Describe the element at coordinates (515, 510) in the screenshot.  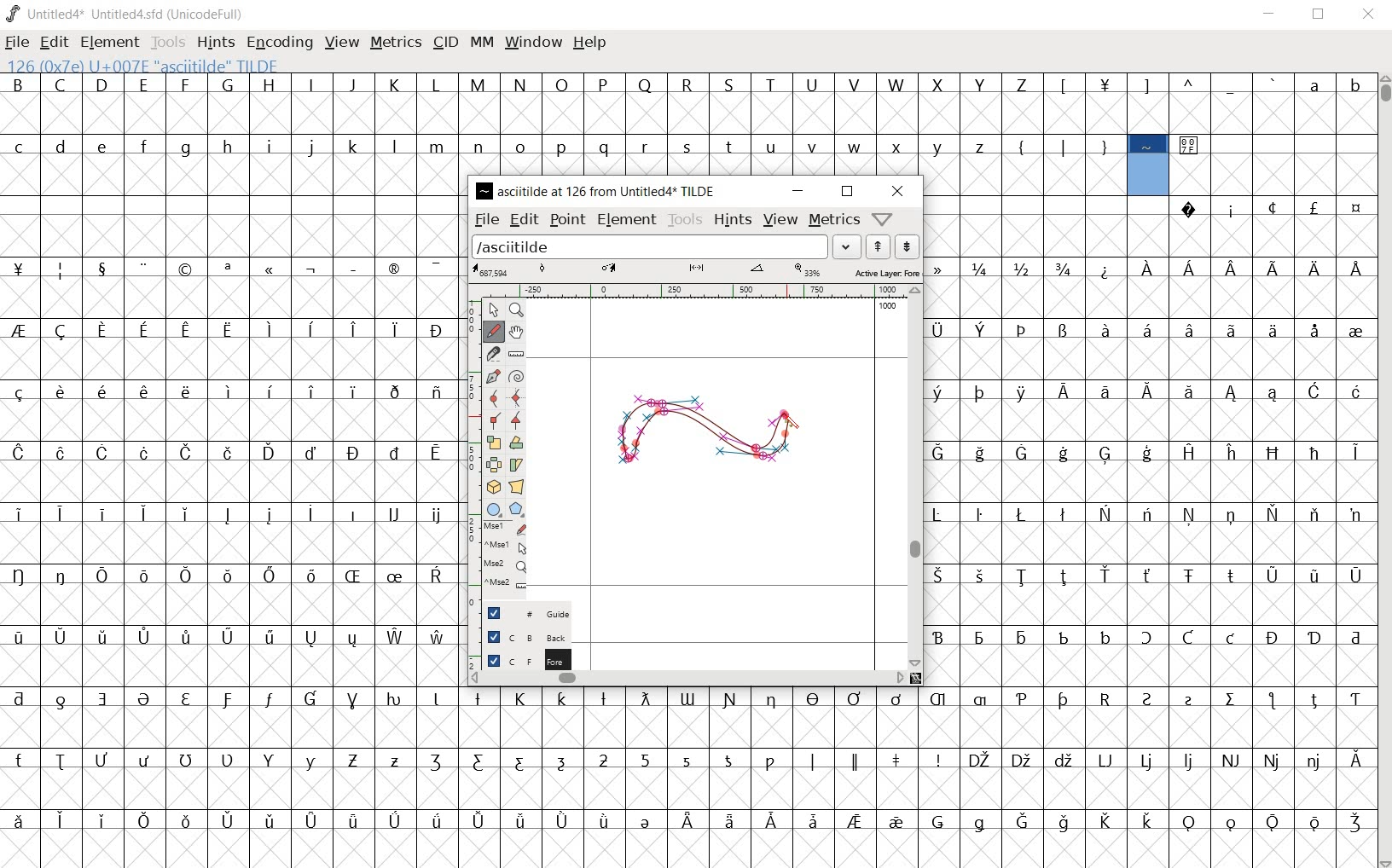
I see `polygon or star` at that location.